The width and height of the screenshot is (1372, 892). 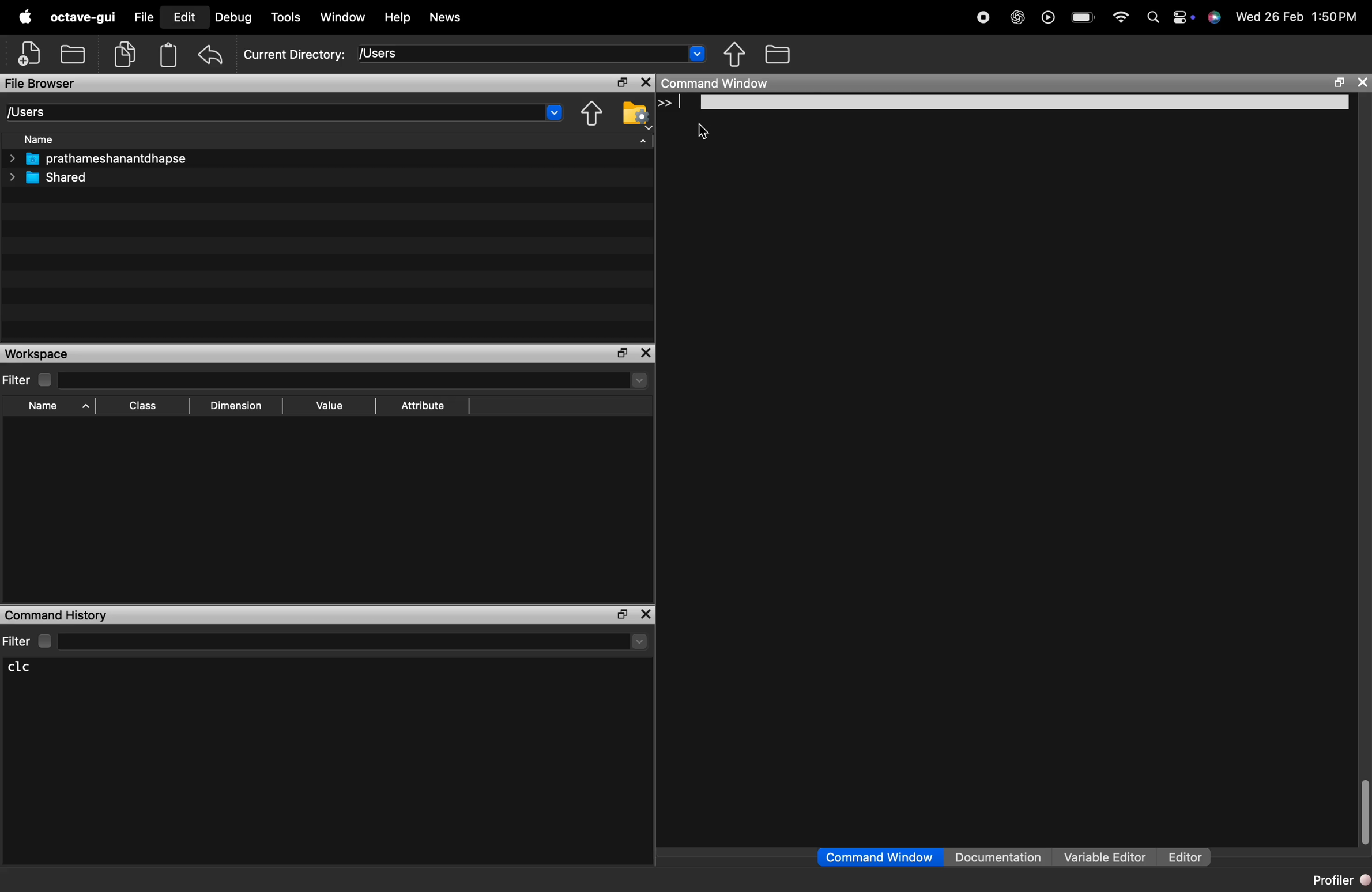 I want to click on Profiler , so click(x=1334, y=879).